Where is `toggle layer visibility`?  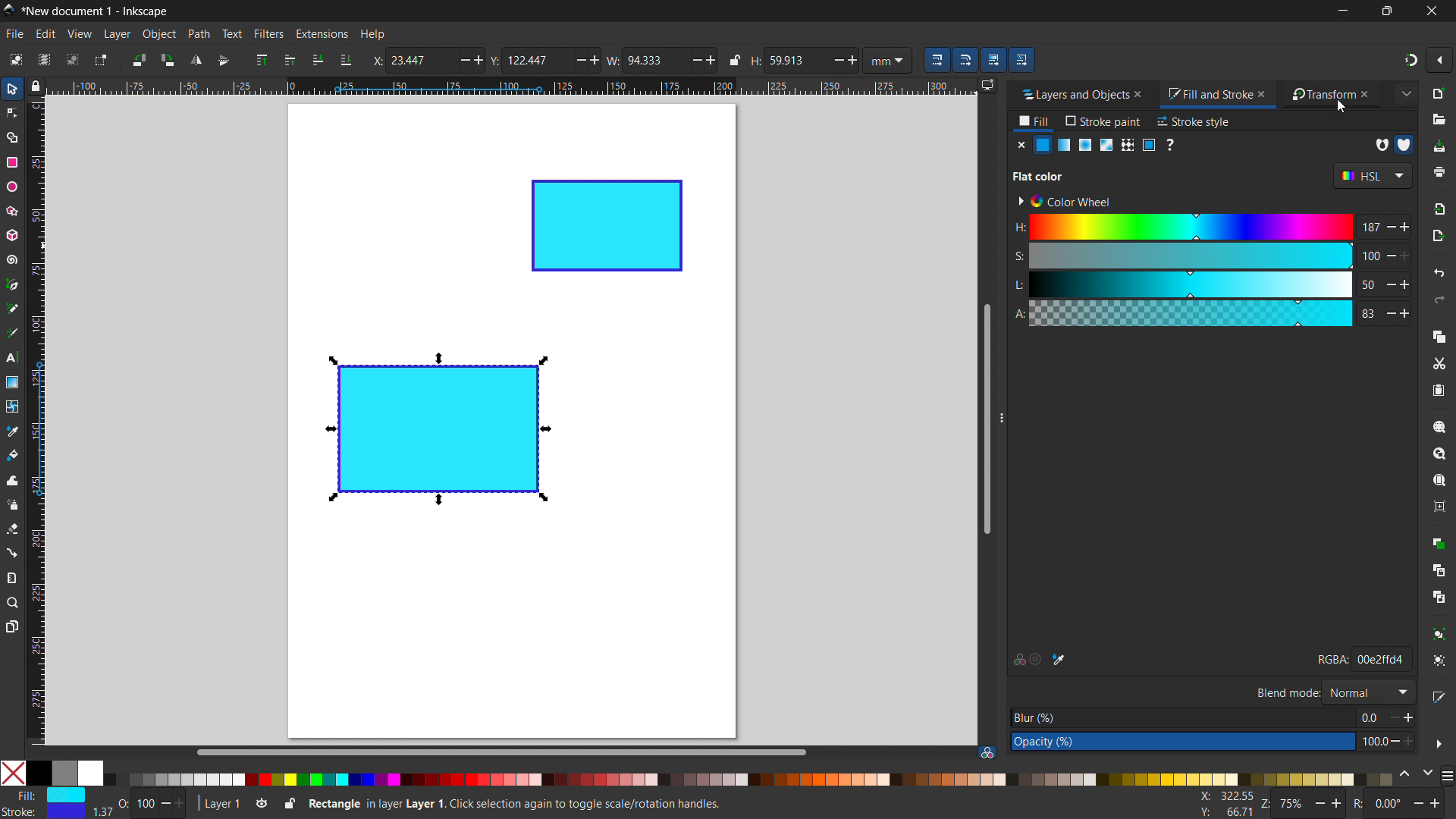
toggle layer visibility is located at coordinates (262, 805).